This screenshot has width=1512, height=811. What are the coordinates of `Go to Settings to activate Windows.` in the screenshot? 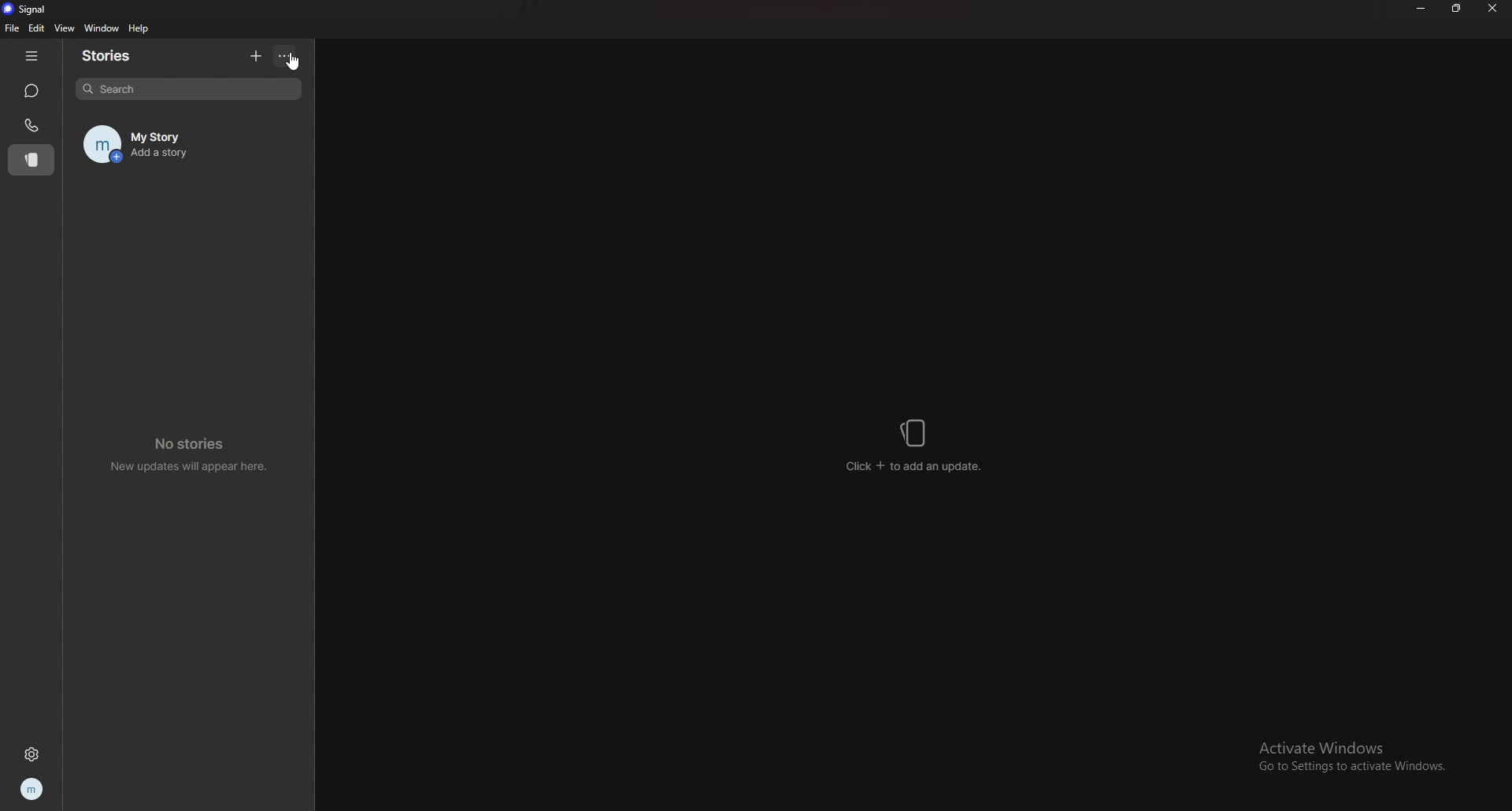 It's located at (1358, 768).